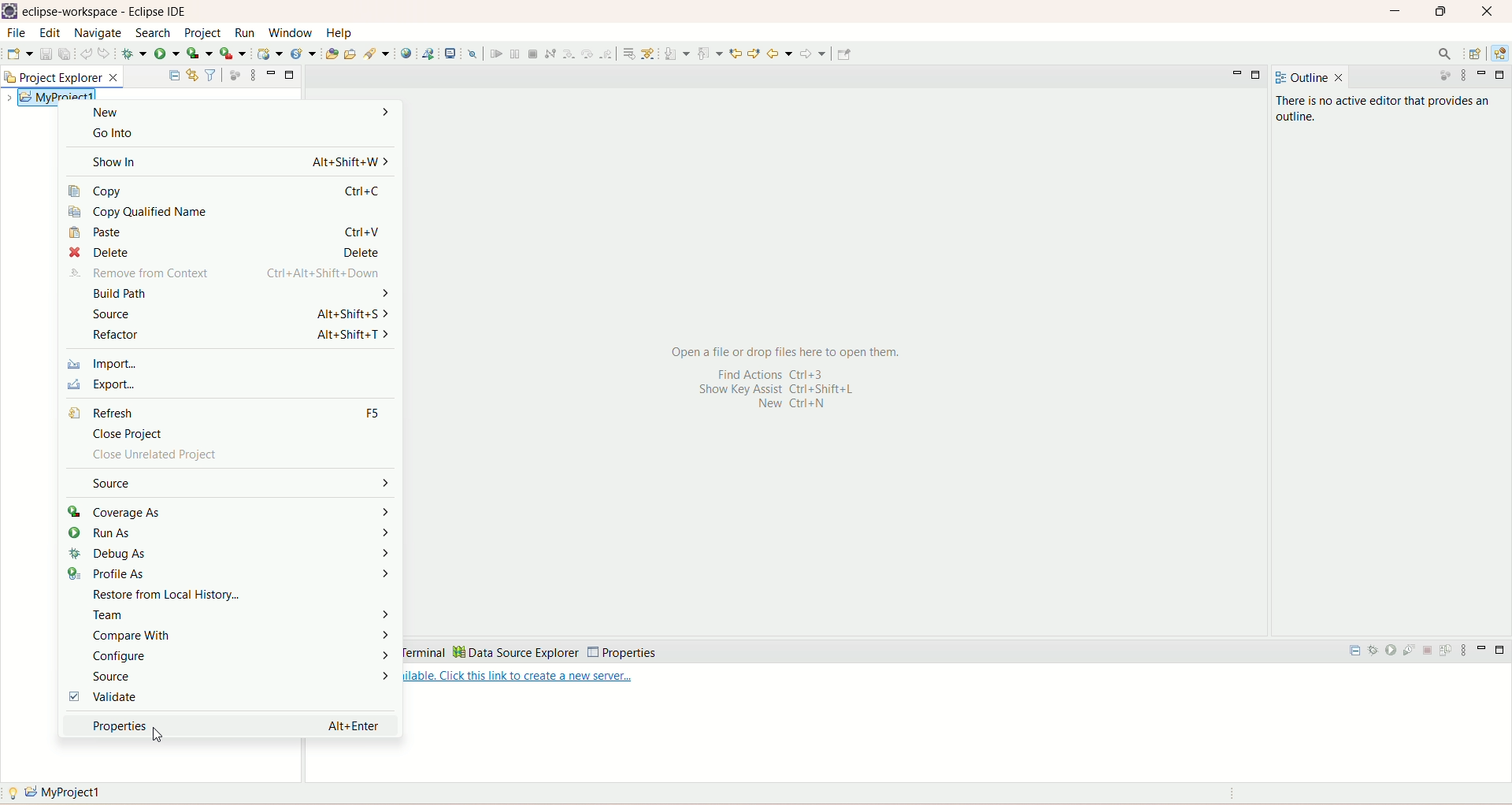  Describe the element at coordinates (232, 136) in the screenshot. I see `go into` at that location.